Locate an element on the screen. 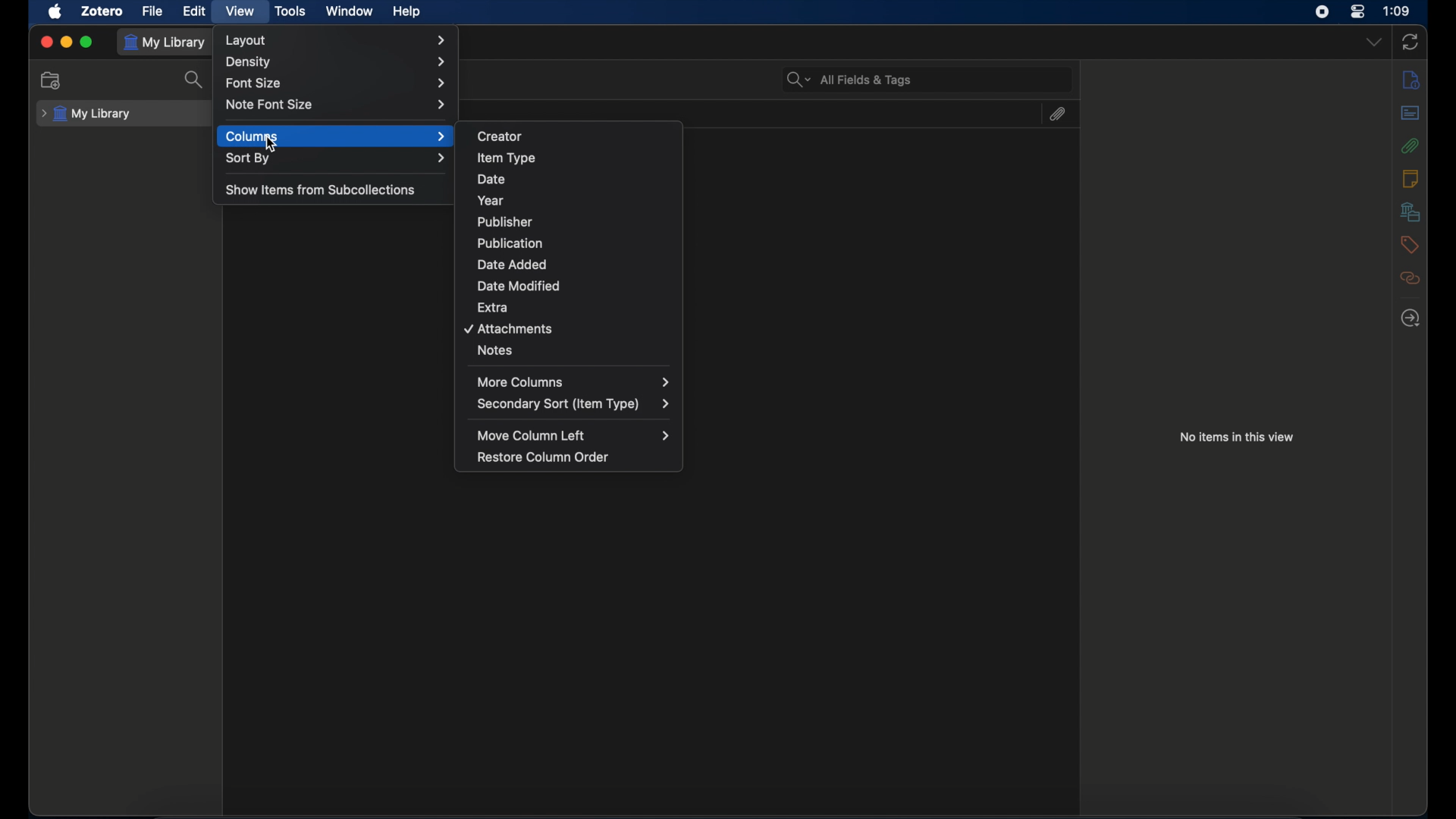 The width and height of the screenshot is (1456, 819). minimize is located at coordinates (67, 42).